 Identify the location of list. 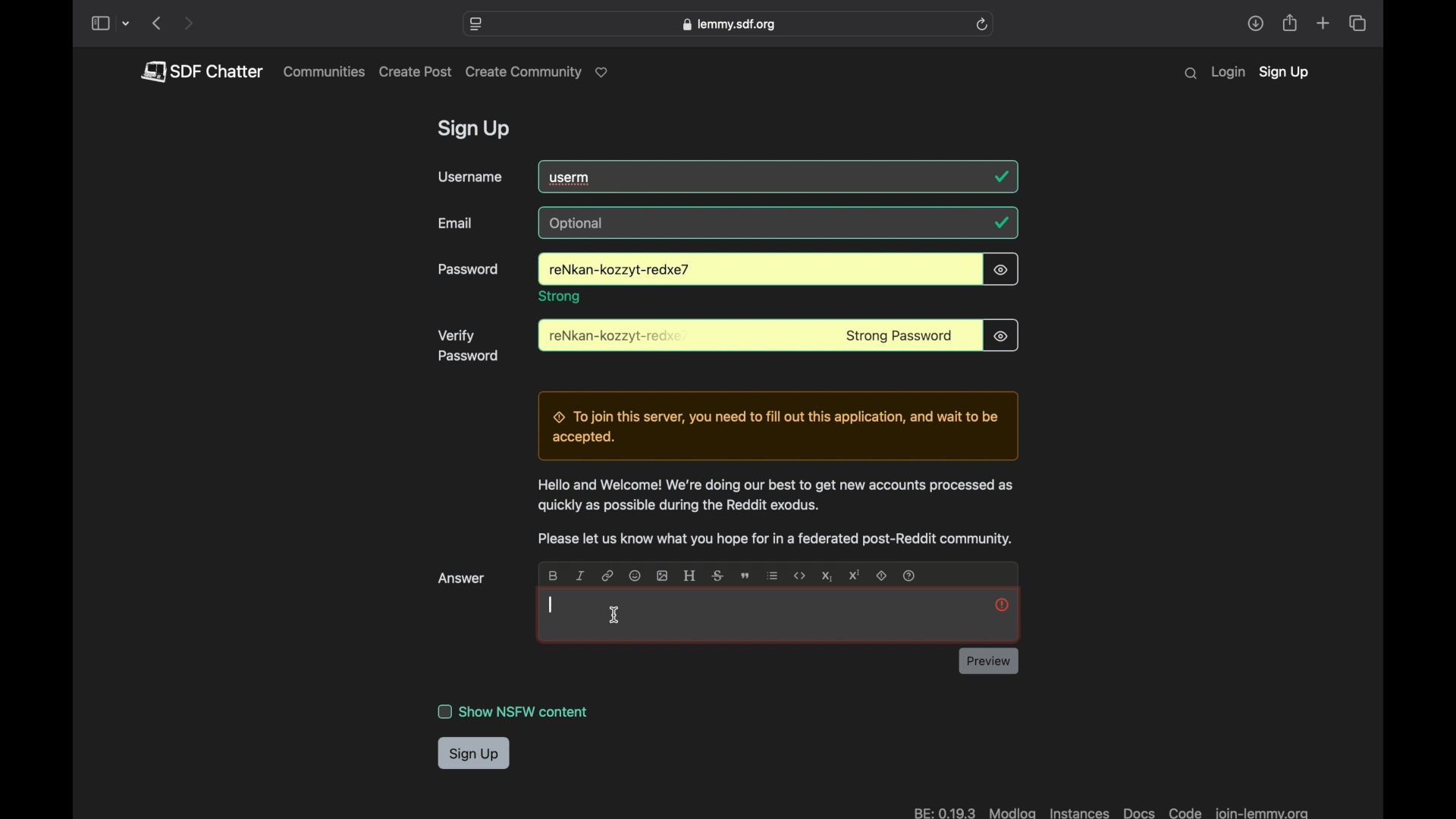
(773, 576).